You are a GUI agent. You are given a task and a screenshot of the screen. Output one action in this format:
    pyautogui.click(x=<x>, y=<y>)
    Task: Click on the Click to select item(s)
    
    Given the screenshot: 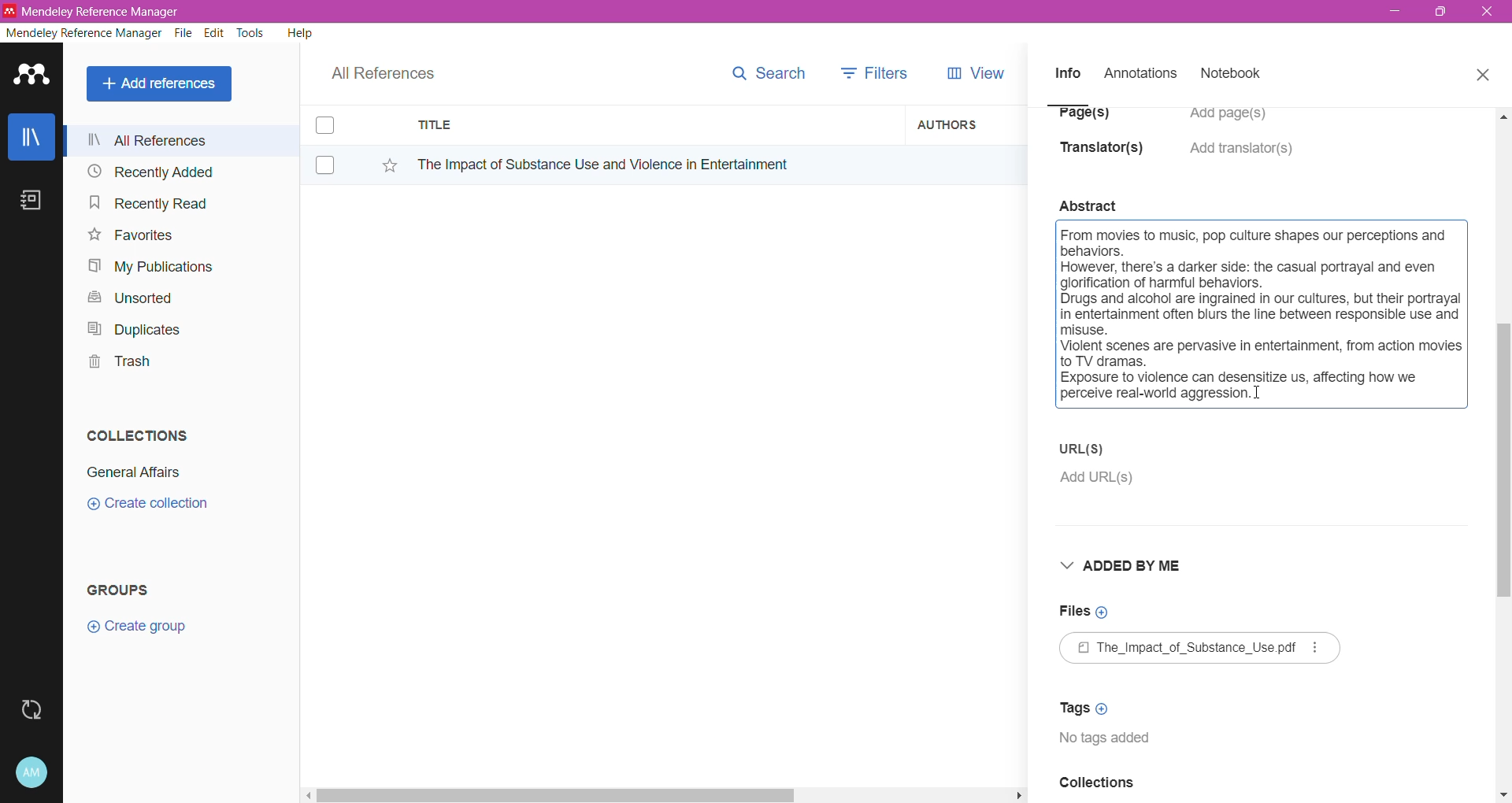 What is the action you would take?
    pyautogui.click(x=333, y=144)
    